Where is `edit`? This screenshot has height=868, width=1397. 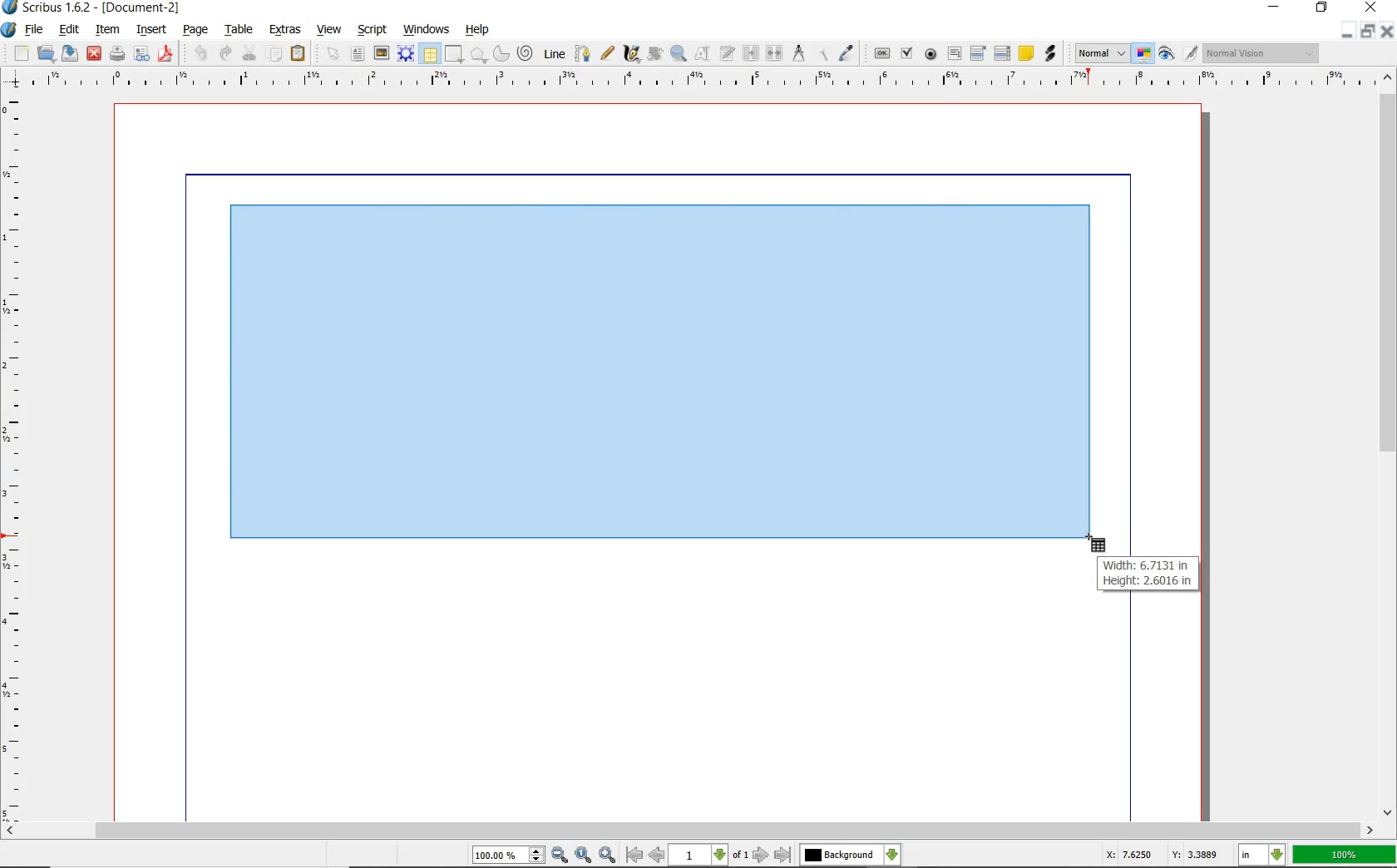
edit is located at coordinates (70, 31).